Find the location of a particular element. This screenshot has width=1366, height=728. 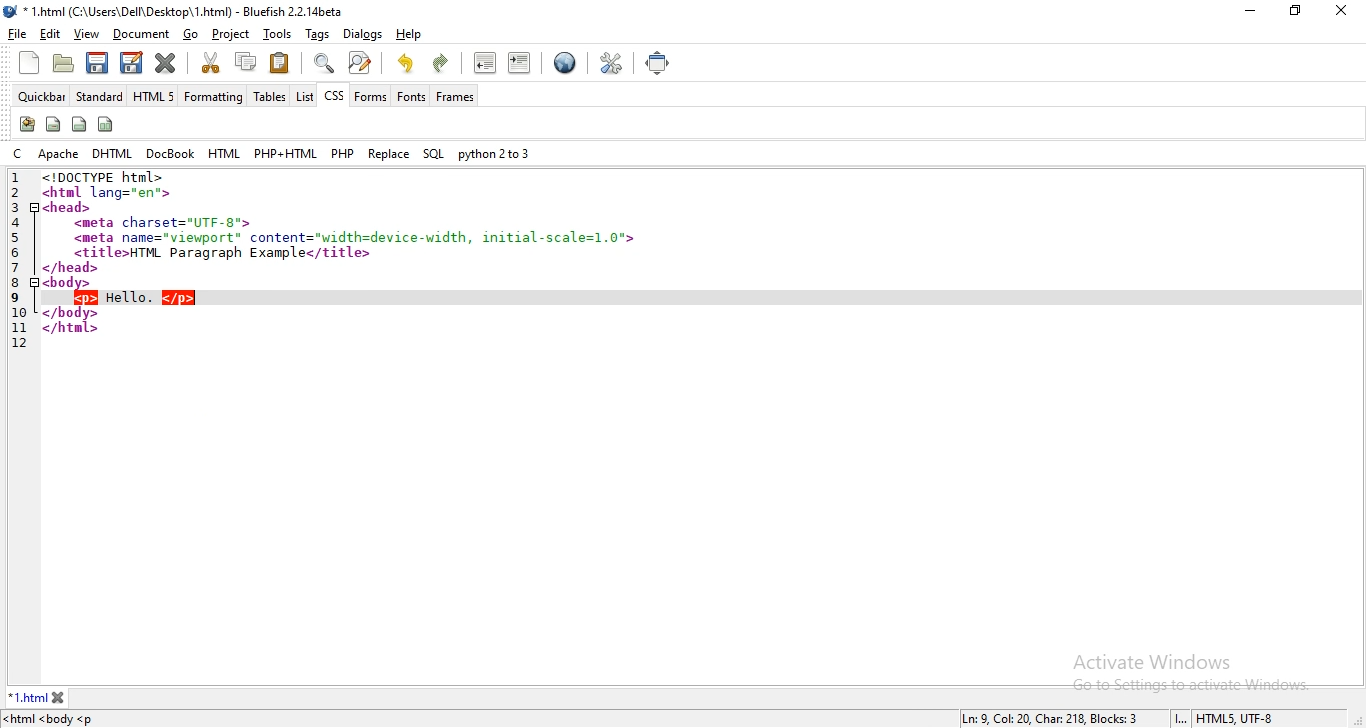

</body> is located at coordinates (71, 313).